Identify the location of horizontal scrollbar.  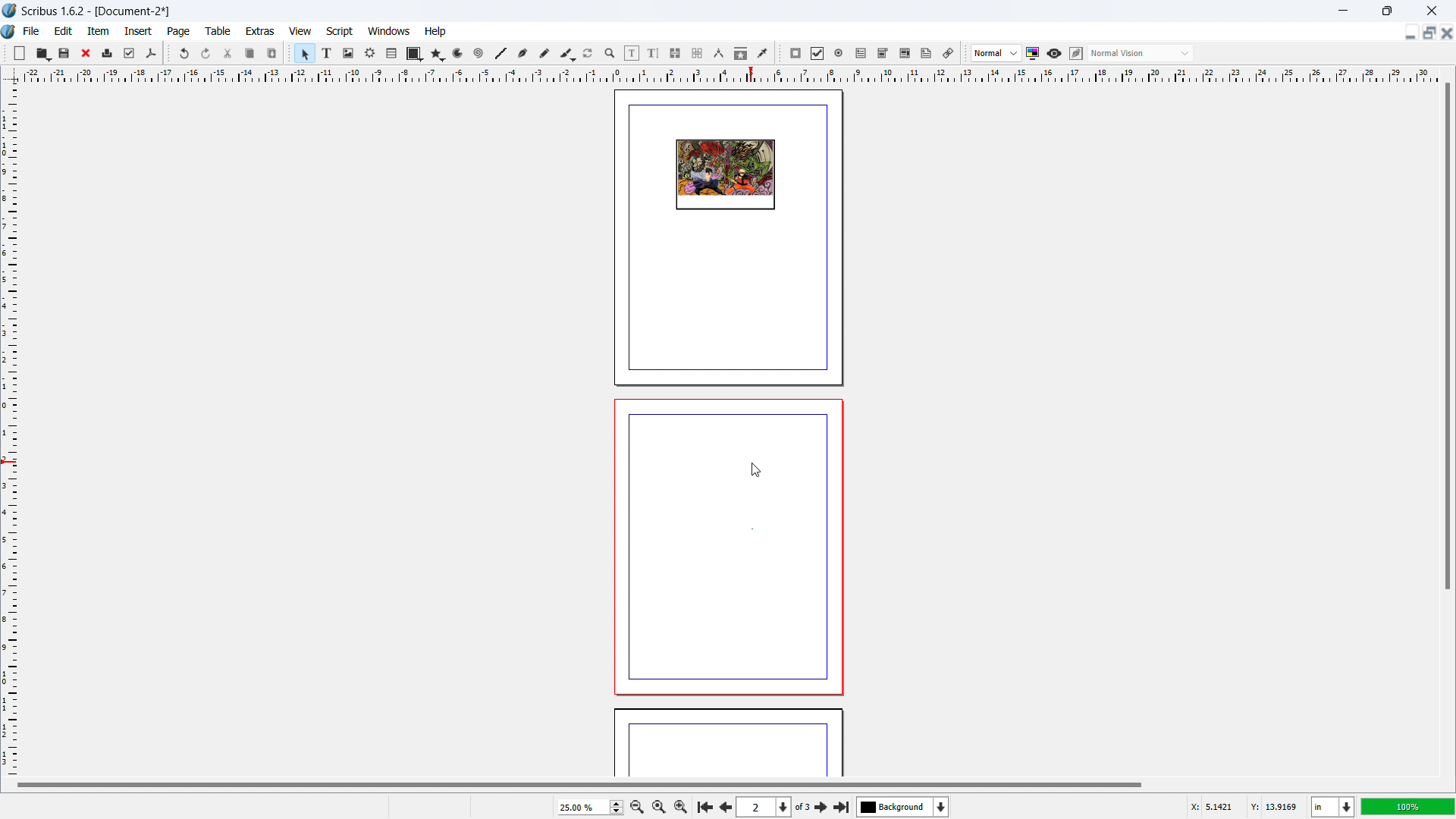
(579, 784).